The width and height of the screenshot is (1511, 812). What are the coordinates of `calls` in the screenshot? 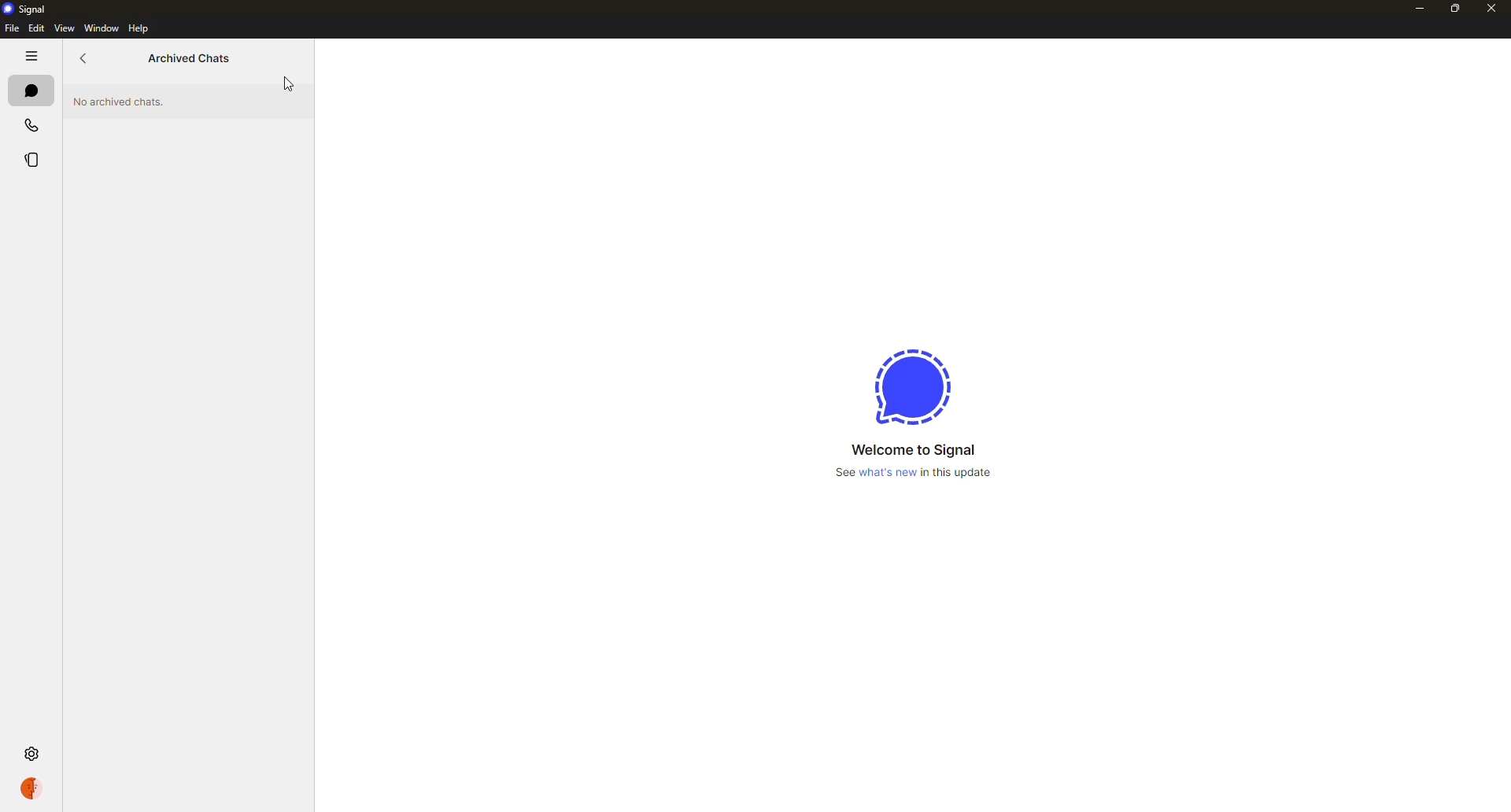 It's located at (33, 124).